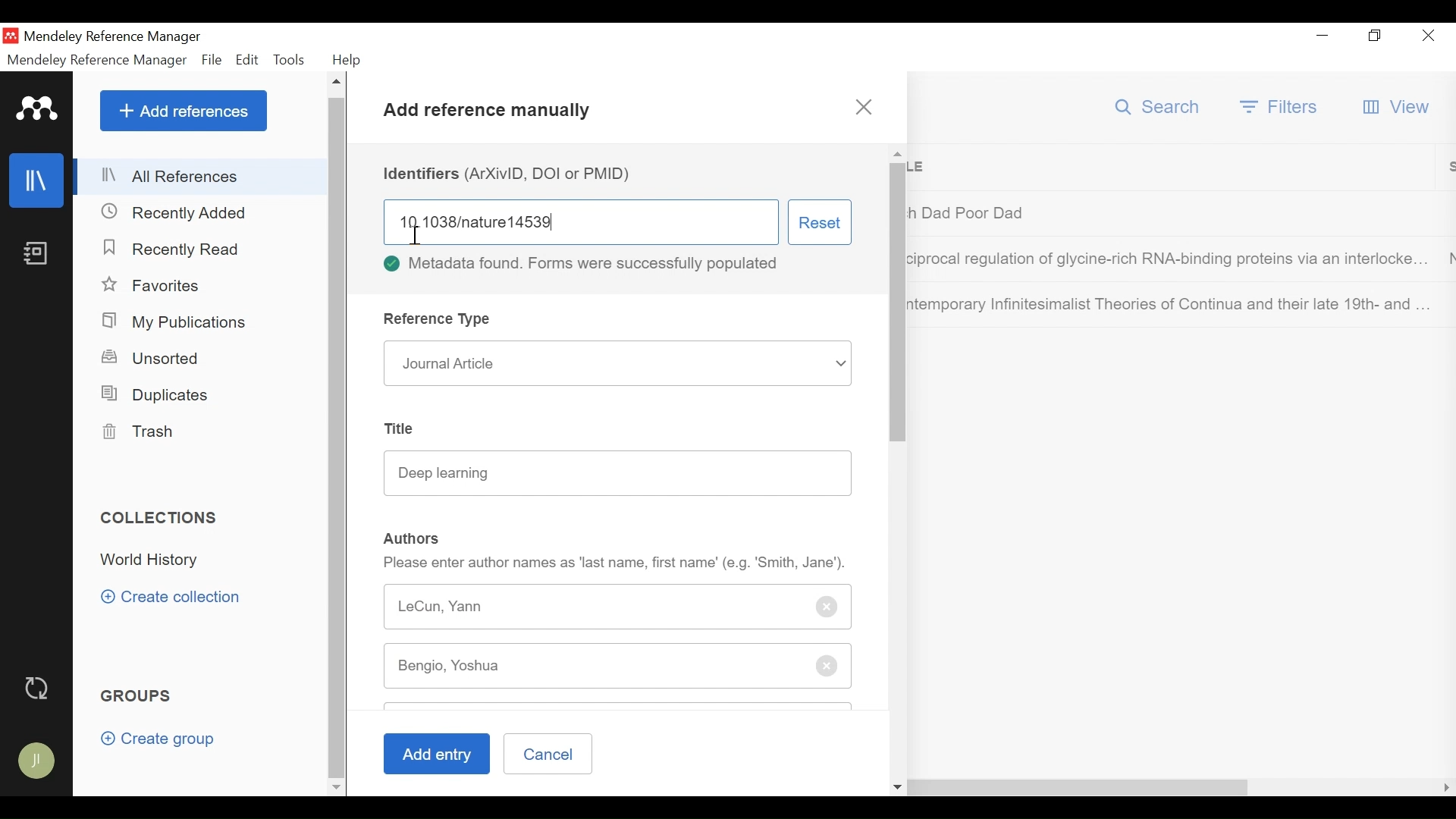 This screenshot has height=819, width=1456. I want to click on Reset, so click(820, 221).